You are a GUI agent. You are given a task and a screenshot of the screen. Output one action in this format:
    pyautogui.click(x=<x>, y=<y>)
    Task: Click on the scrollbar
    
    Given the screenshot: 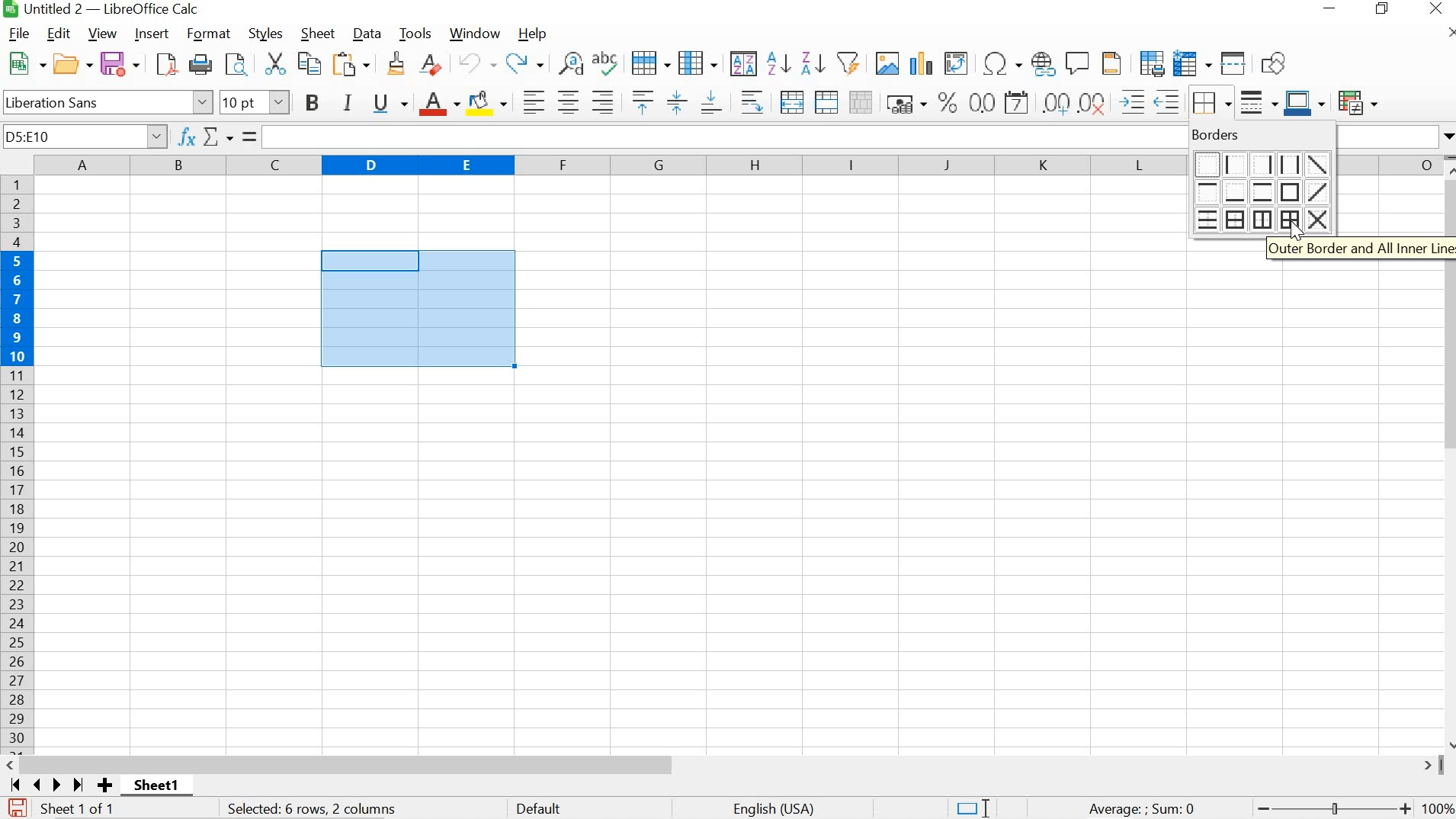 What is the action you would take?
    pyautogui.click(x=729, y=765)
    